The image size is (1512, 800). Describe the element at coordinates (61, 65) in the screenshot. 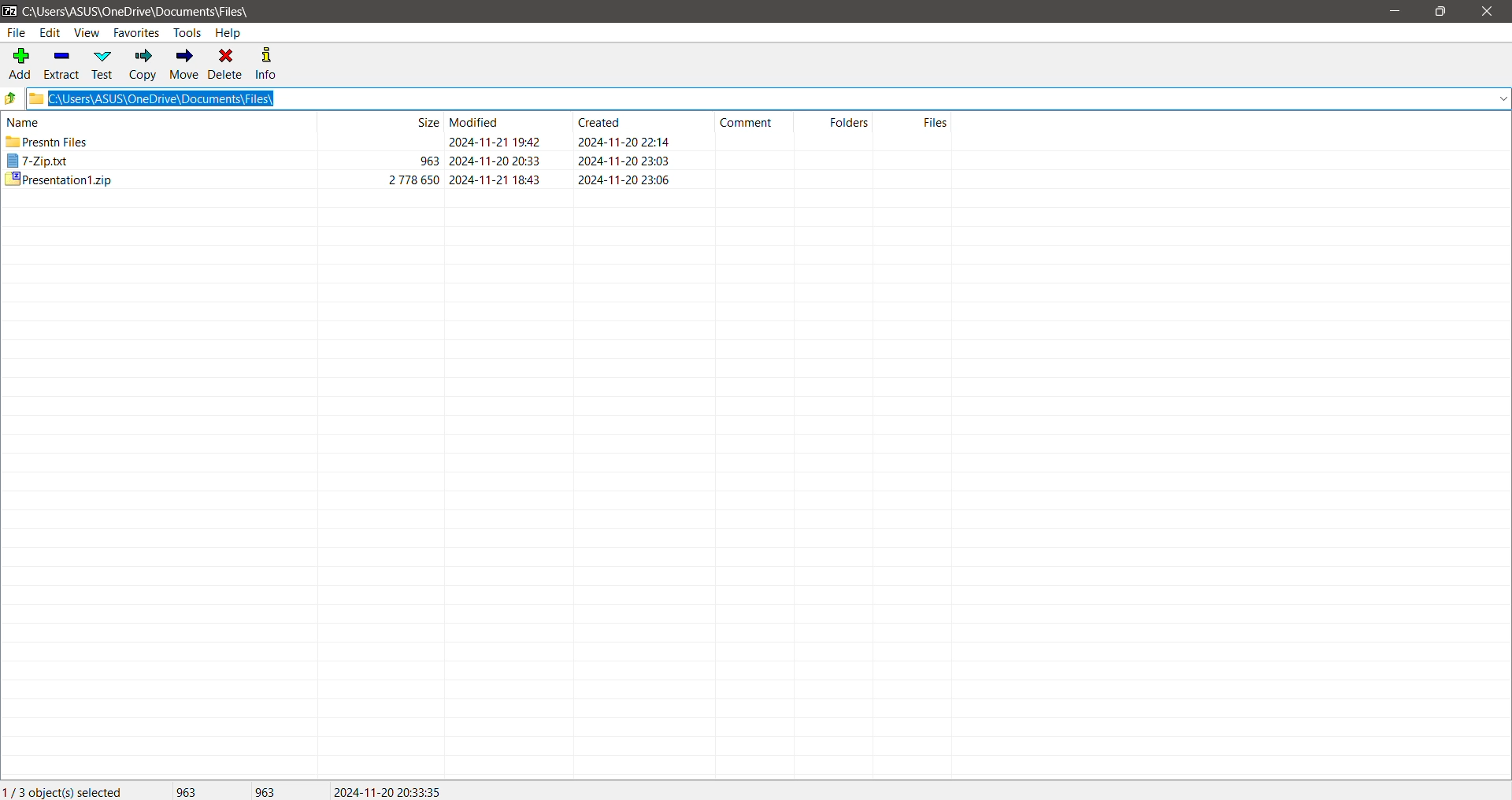

I see `Extract` at that location.